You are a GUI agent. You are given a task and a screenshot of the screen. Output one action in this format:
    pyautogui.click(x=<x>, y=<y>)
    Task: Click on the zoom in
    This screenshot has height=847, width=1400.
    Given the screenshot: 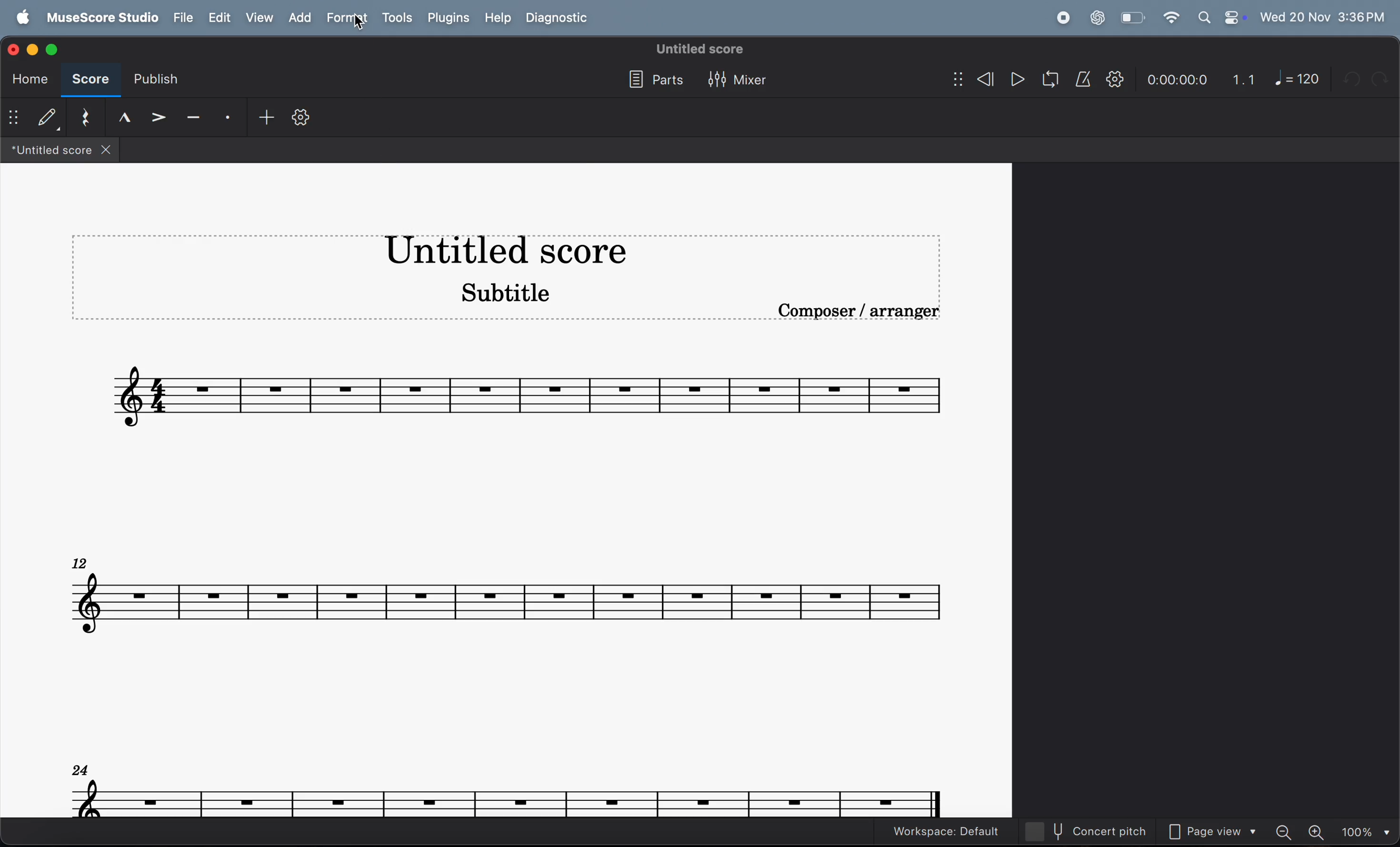 What is the action you would take?
    pyautogui.click(x=1318, y=832)
    